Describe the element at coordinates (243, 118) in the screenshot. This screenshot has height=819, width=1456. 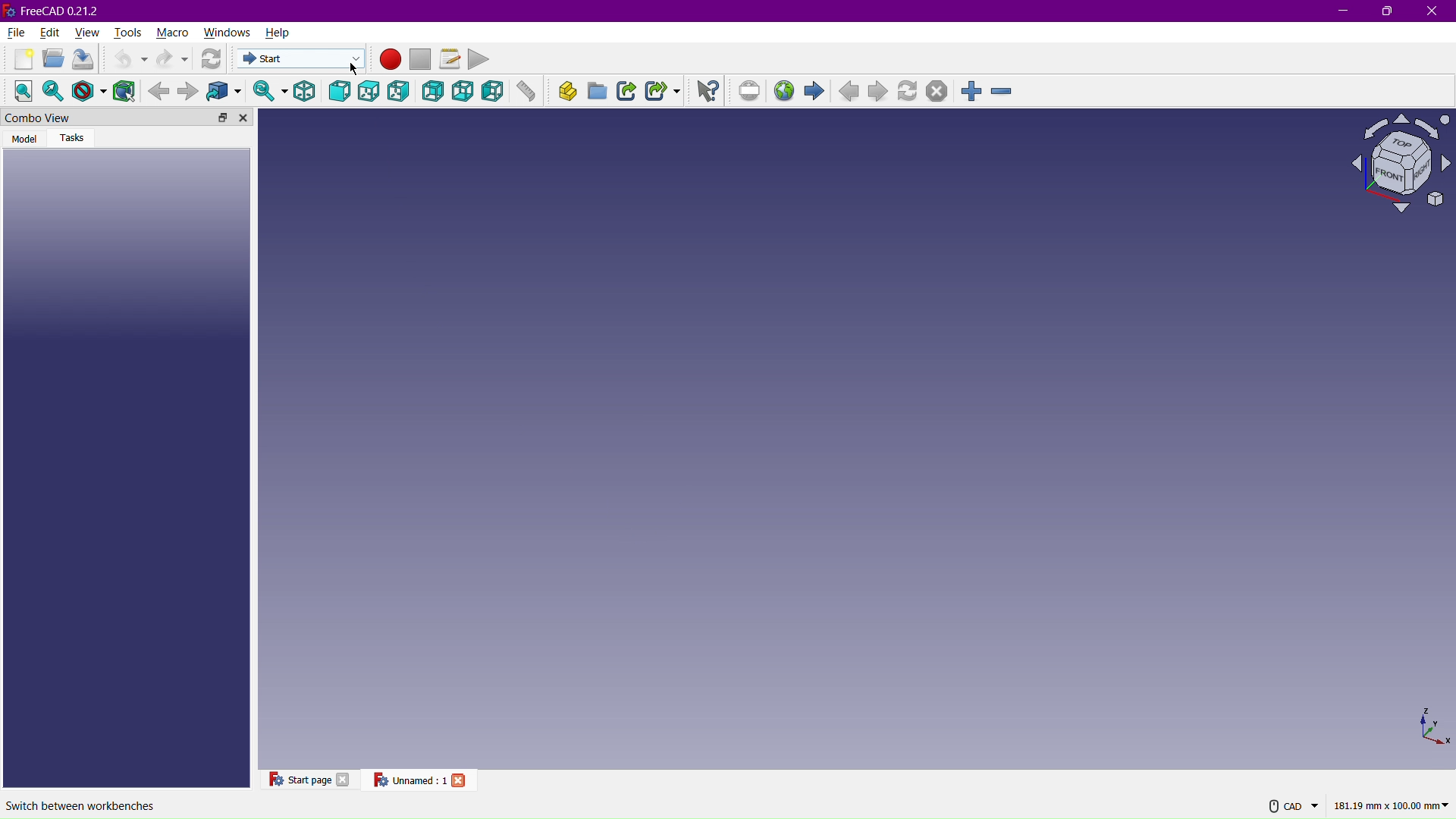
I see `close tab` at that location.